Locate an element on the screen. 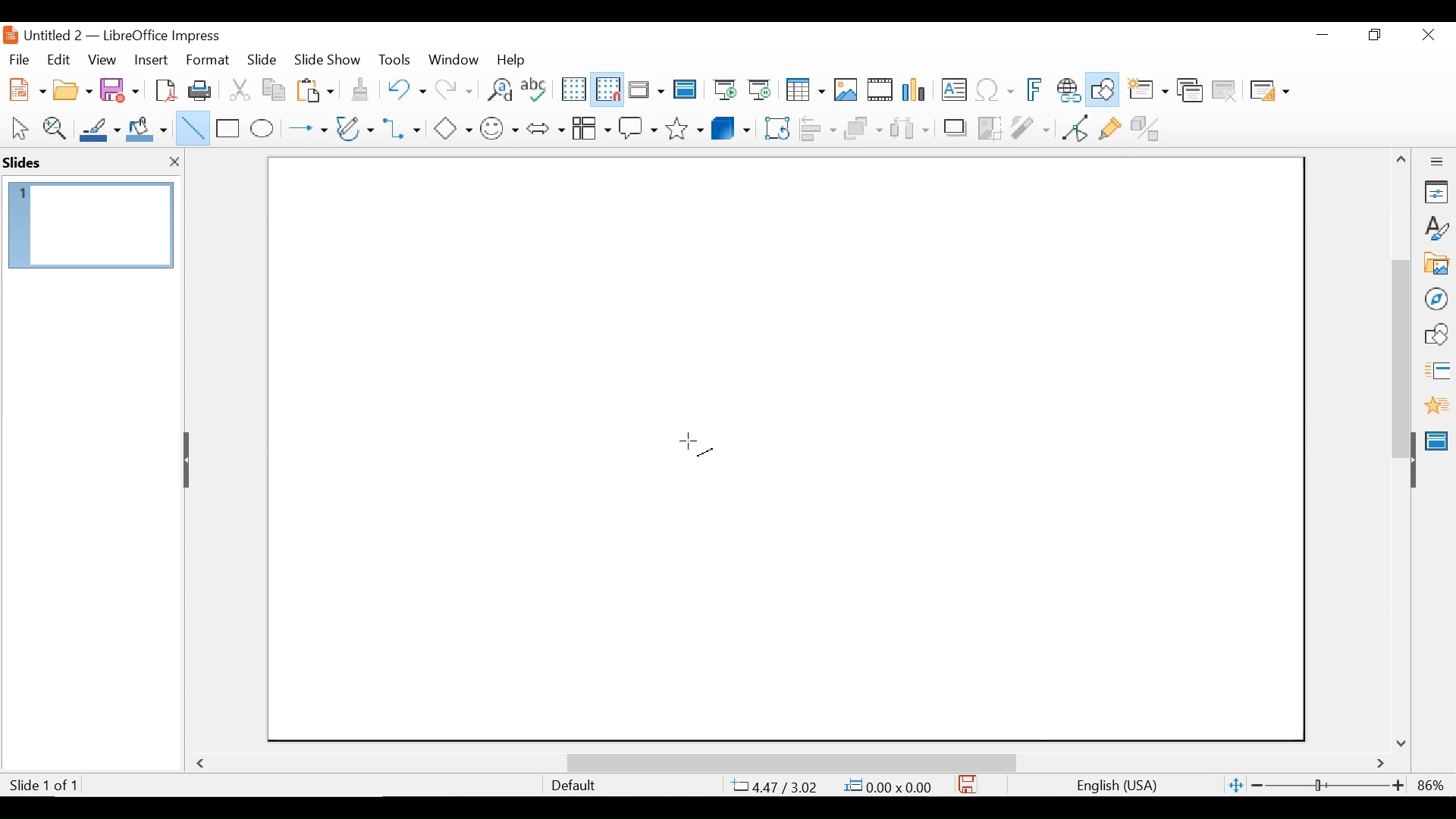 The height and width of the screenshot is (819, 1456). Select is located at coordinates (17, 127).